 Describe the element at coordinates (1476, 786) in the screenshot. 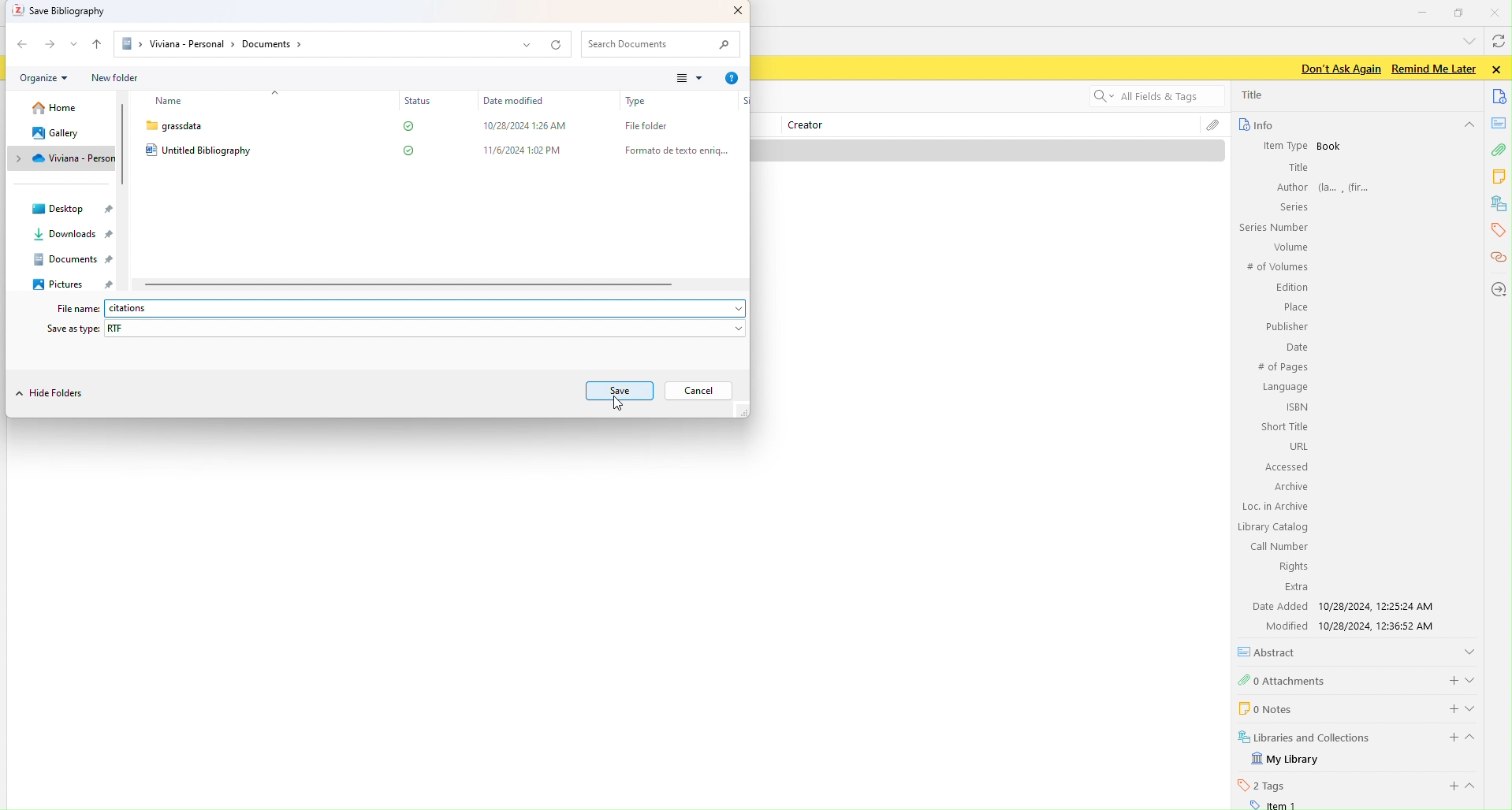

I see `show` at that location.